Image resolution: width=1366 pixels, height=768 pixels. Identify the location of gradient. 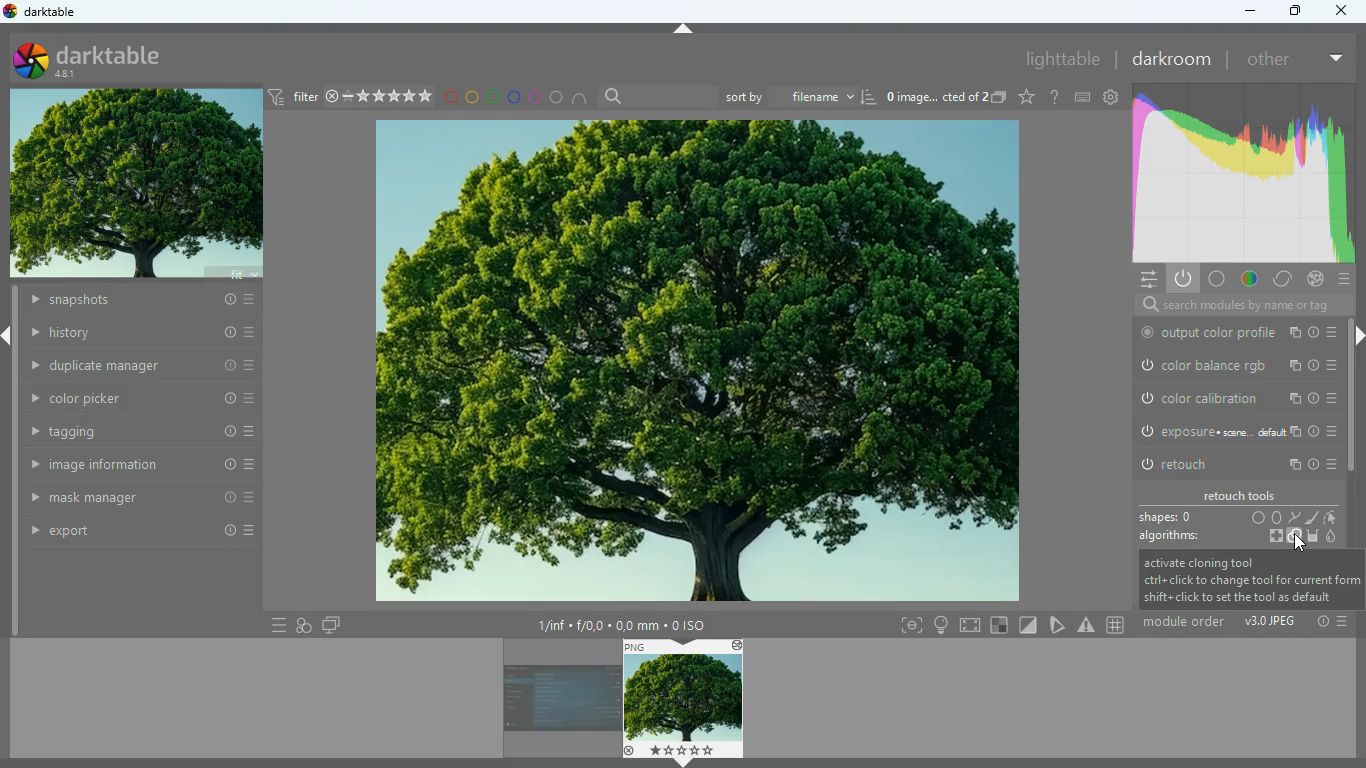
(1239, 173).